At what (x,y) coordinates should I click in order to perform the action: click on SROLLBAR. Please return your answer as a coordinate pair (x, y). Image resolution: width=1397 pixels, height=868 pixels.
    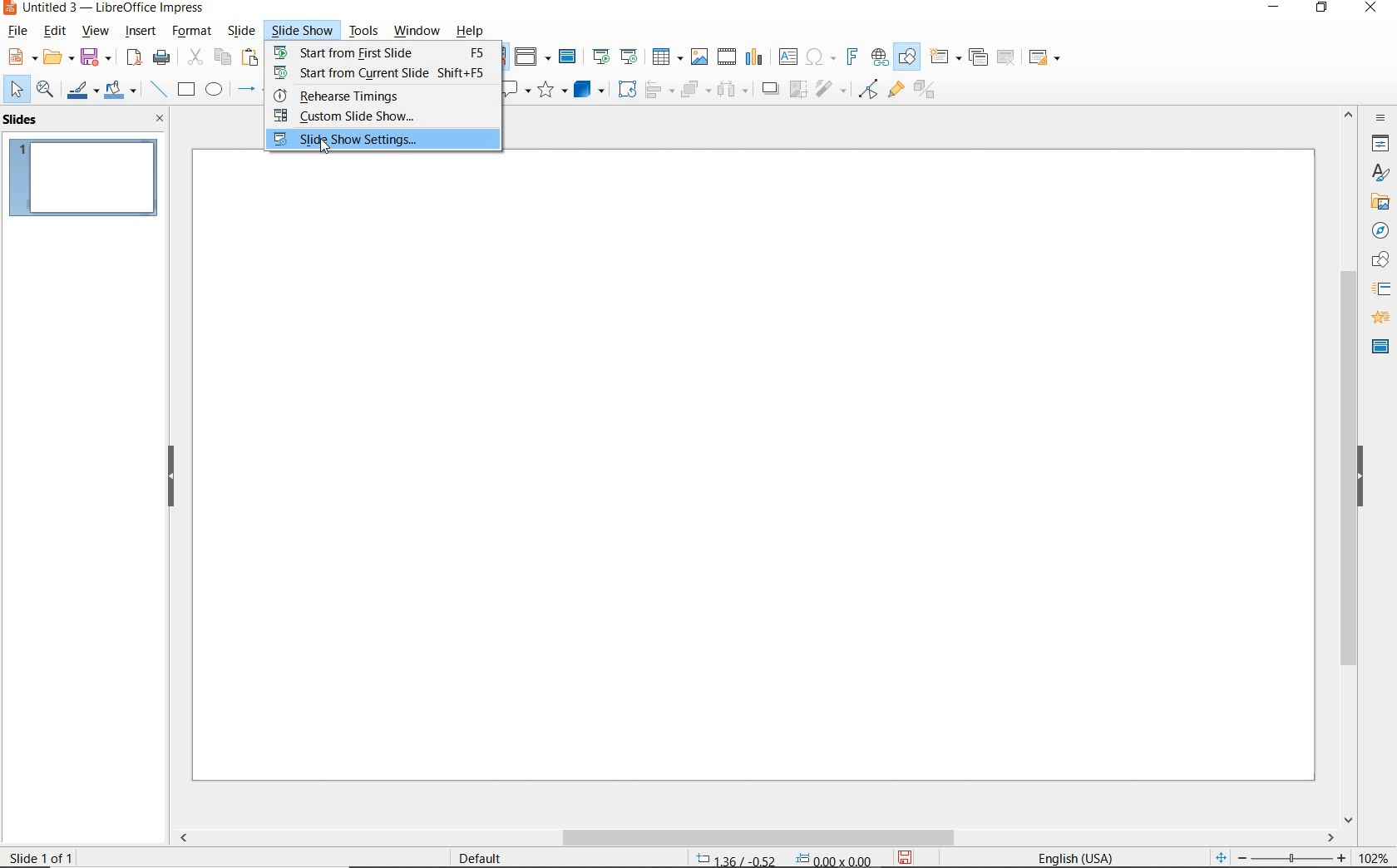
    Looking at the image, I should click on (1349, 468).